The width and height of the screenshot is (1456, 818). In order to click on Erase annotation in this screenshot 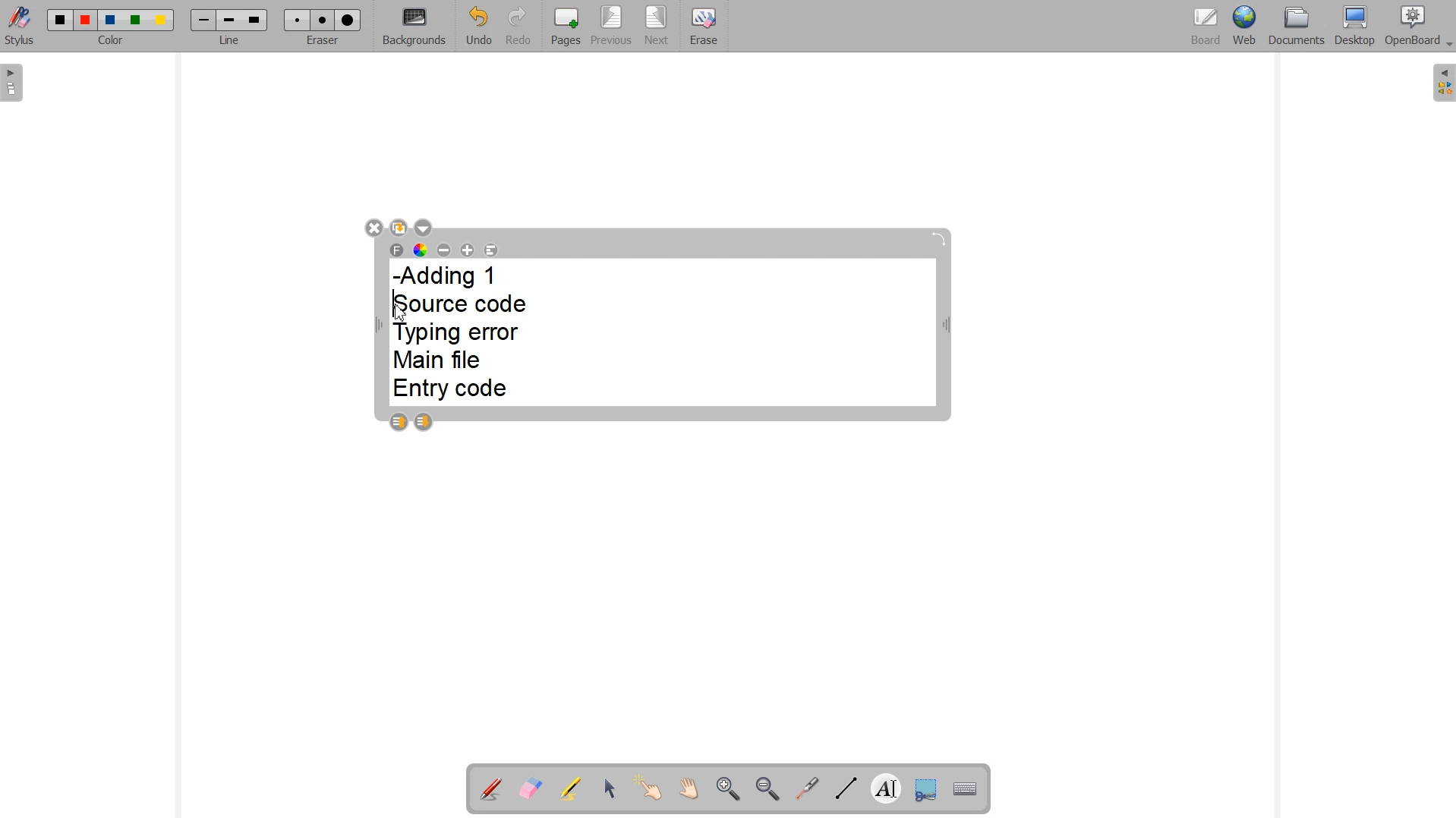, I will do `click(531, 788)`.